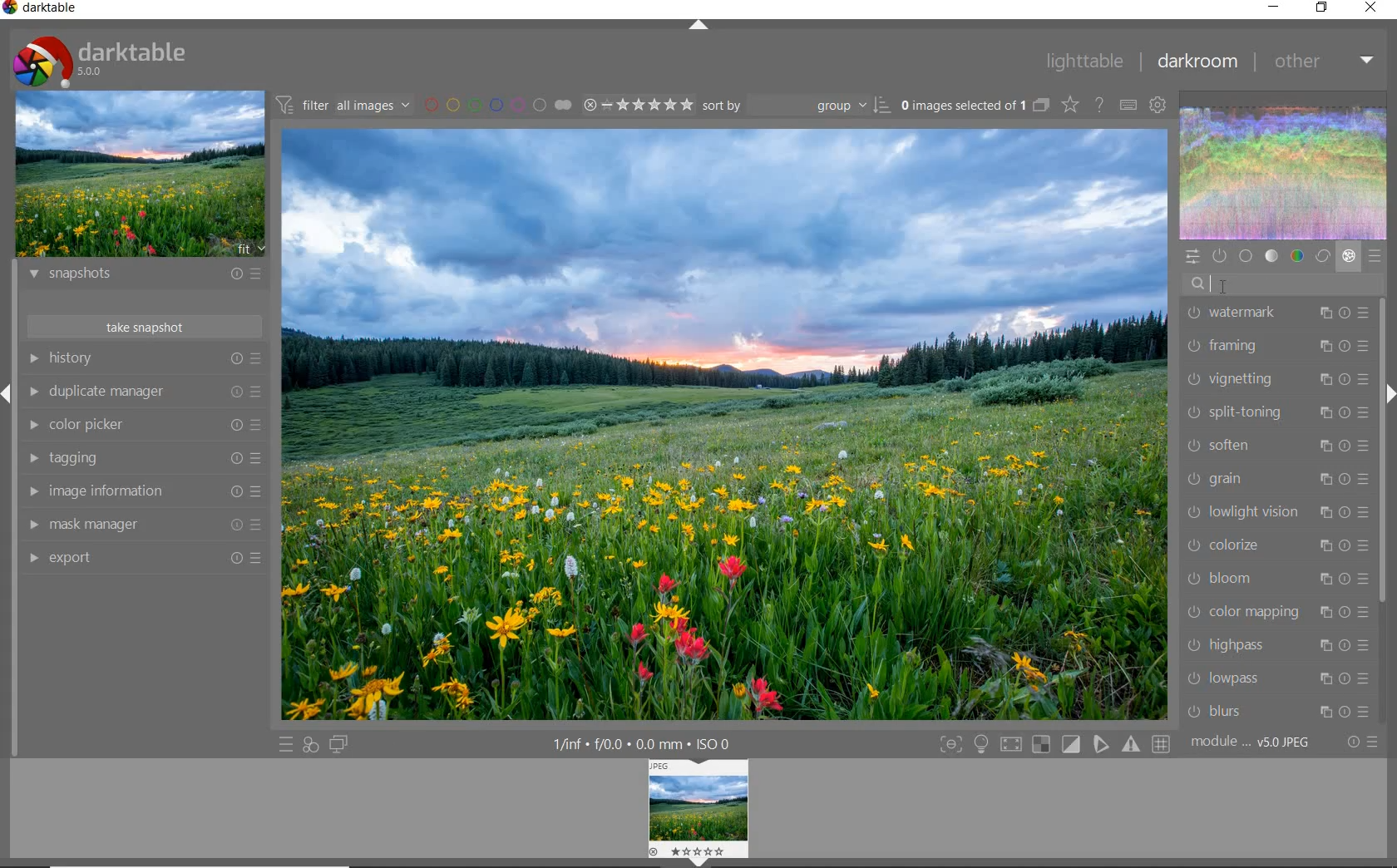 The height and width of the screenshot is (868, 1397). Describe the element at coordinates (496, 105) in the screenshot. I see `filter by image color` at that location.